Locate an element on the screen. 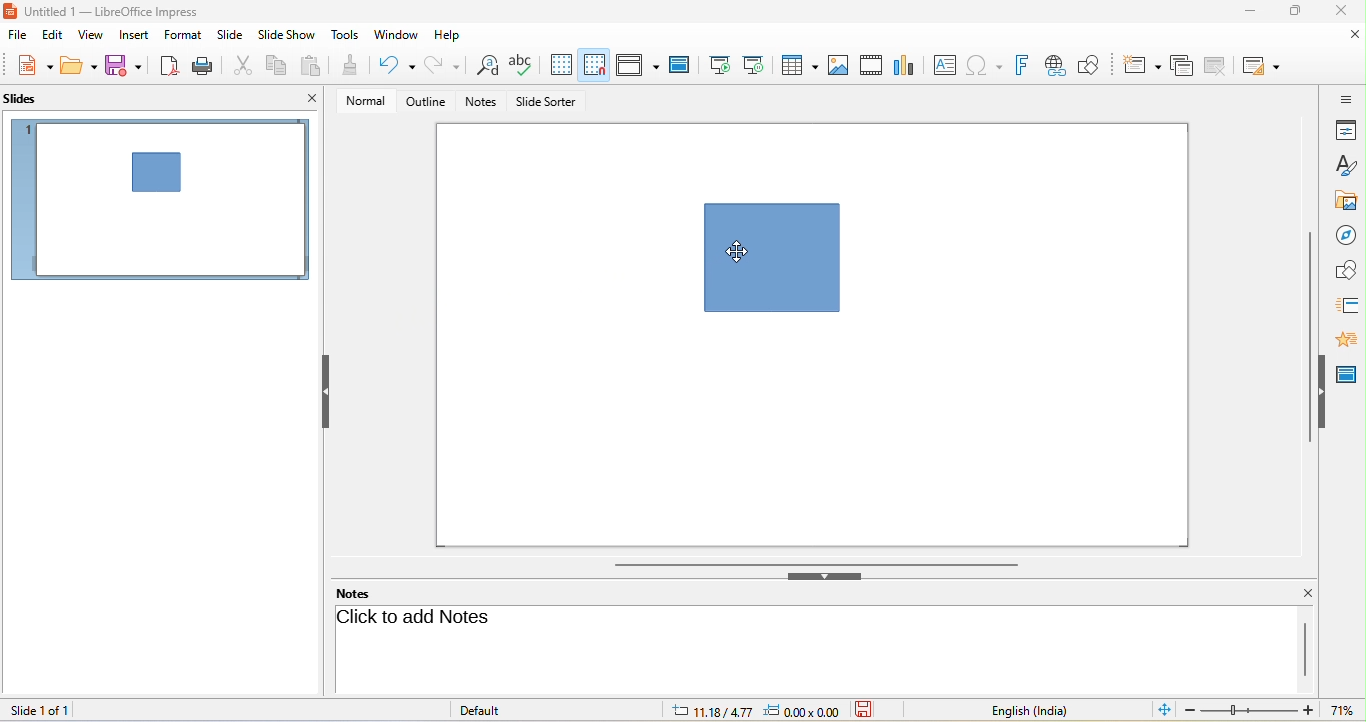  vertical scroll bar is located at coordinates (1308, 338).